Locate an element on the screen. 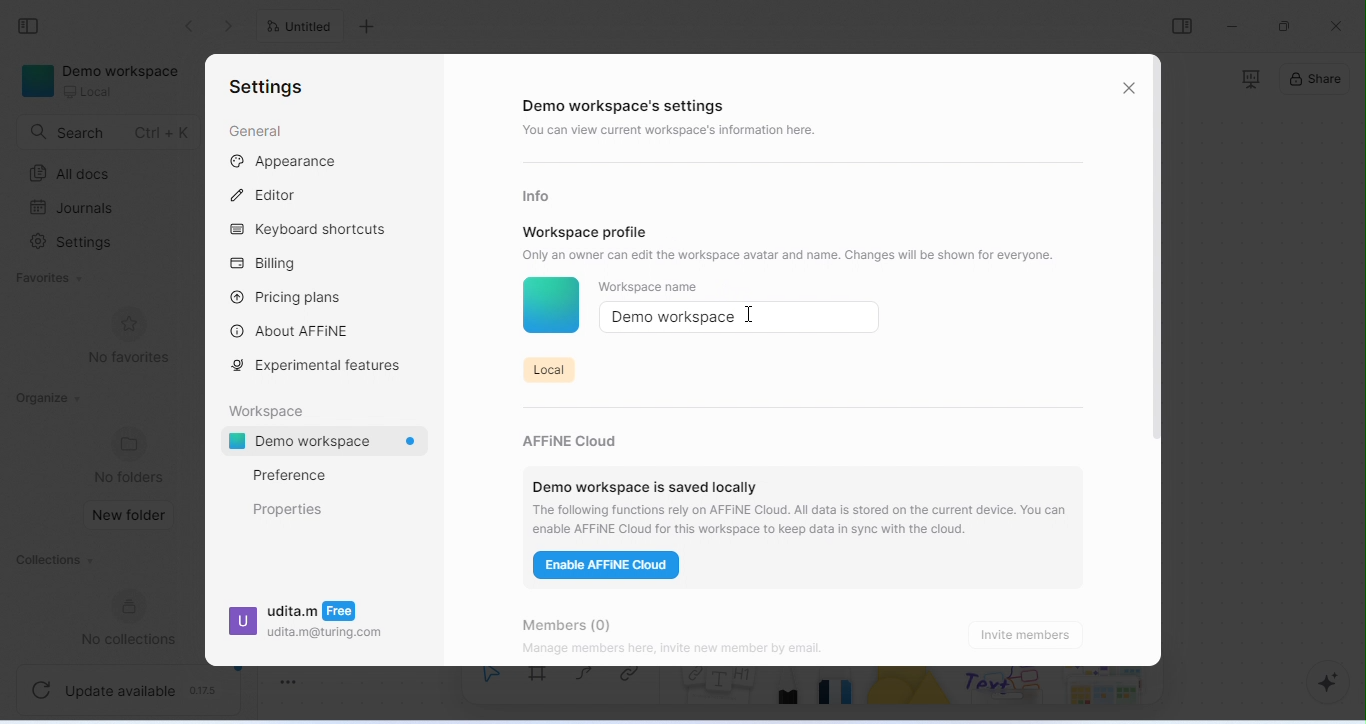 This screenshot has width=1366, height=724. info is located at coordinates (540, 195).